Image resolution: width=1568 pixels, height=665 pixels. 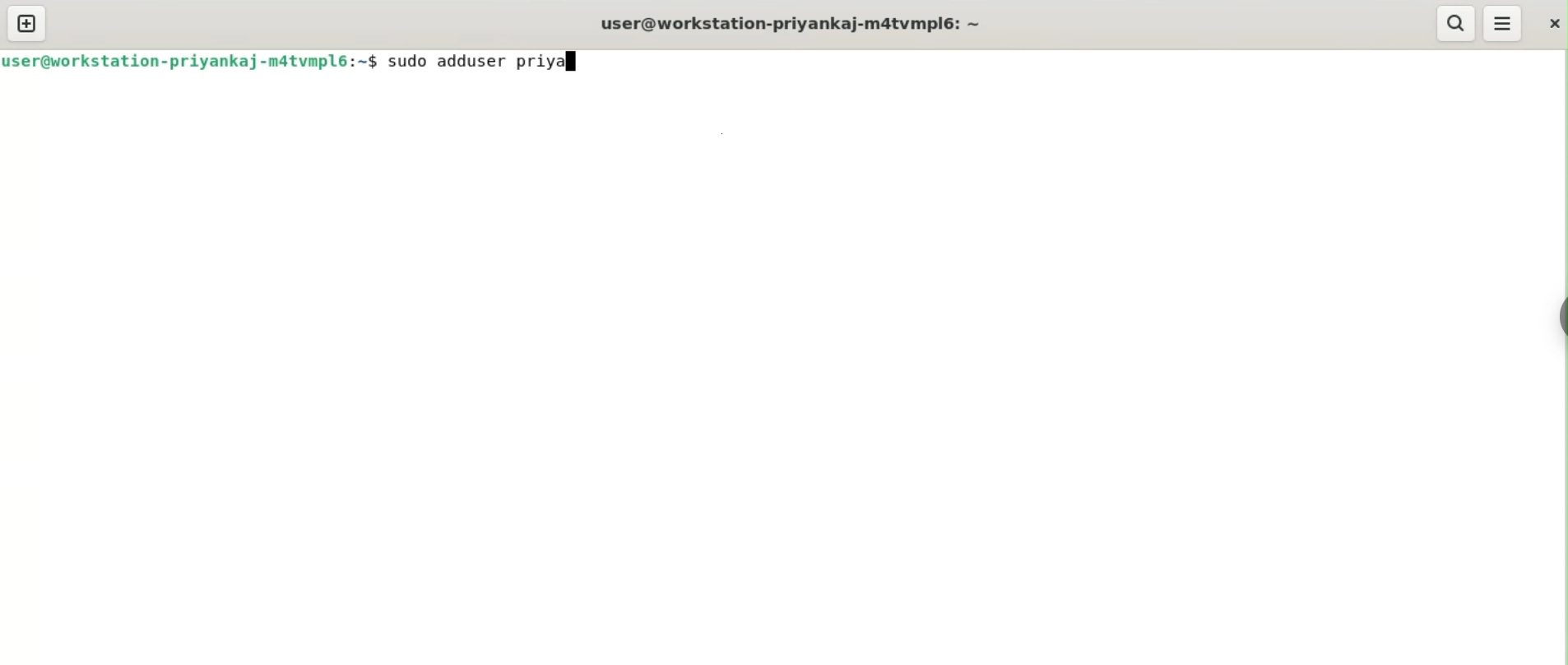 I want to click on close, so click(x=1552, y=23).